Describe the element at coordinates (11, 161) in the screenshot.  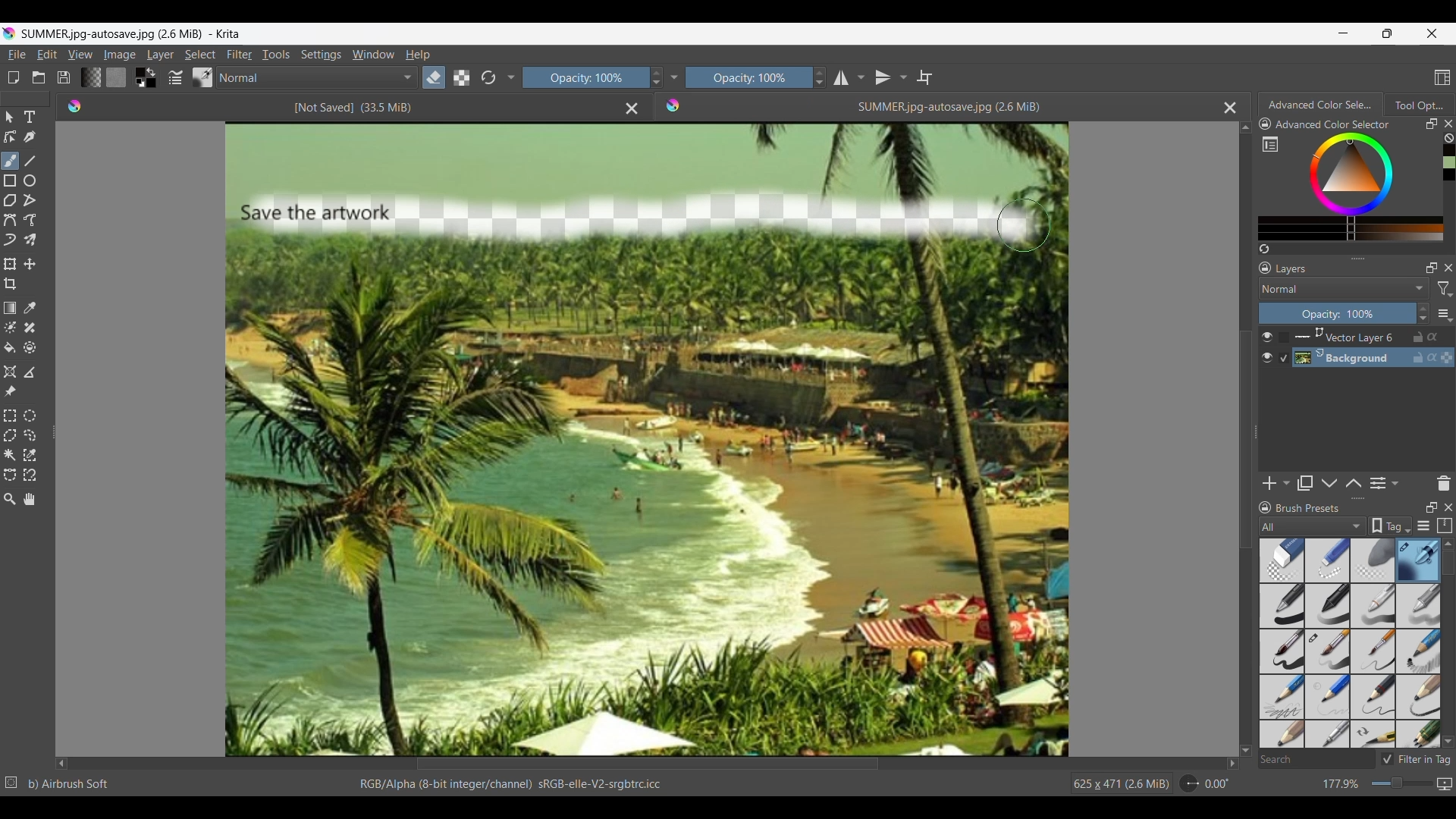
I see `Freehand brush tool, current selection` at that location.